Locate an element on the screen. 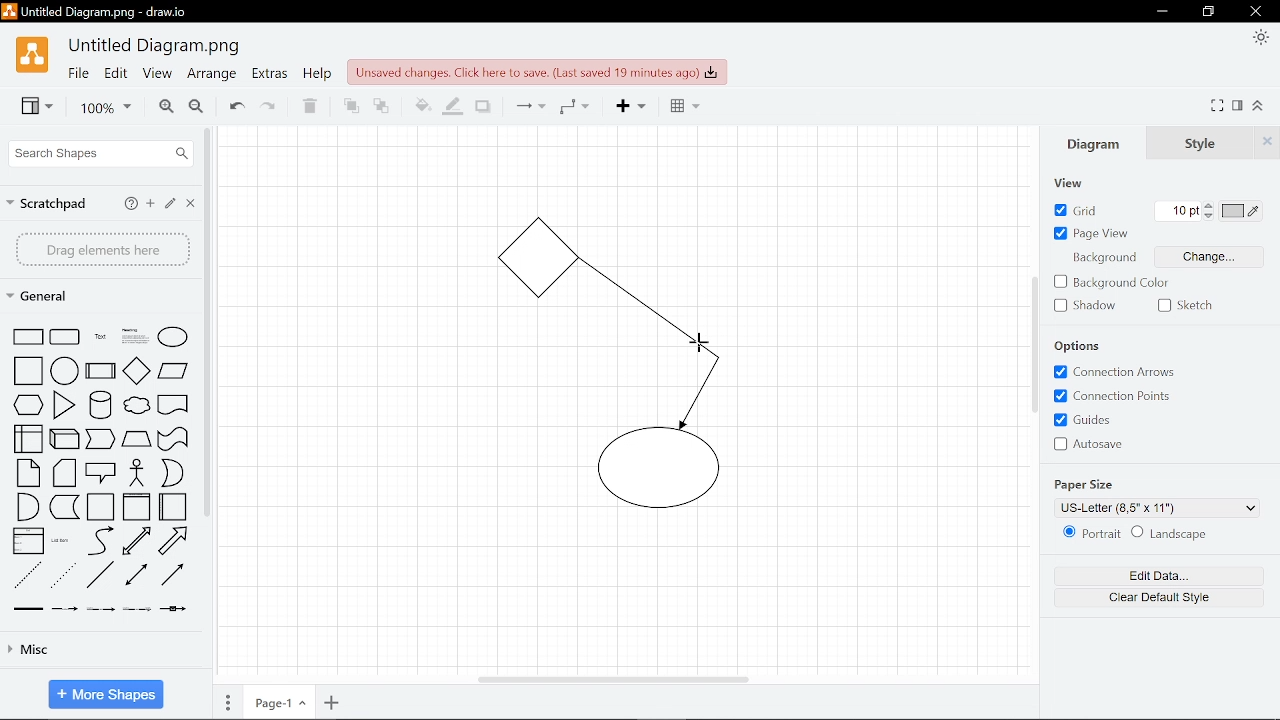 This screenshot has width=1280, height=720. Scratchpad is located at coordinates (49, 201).